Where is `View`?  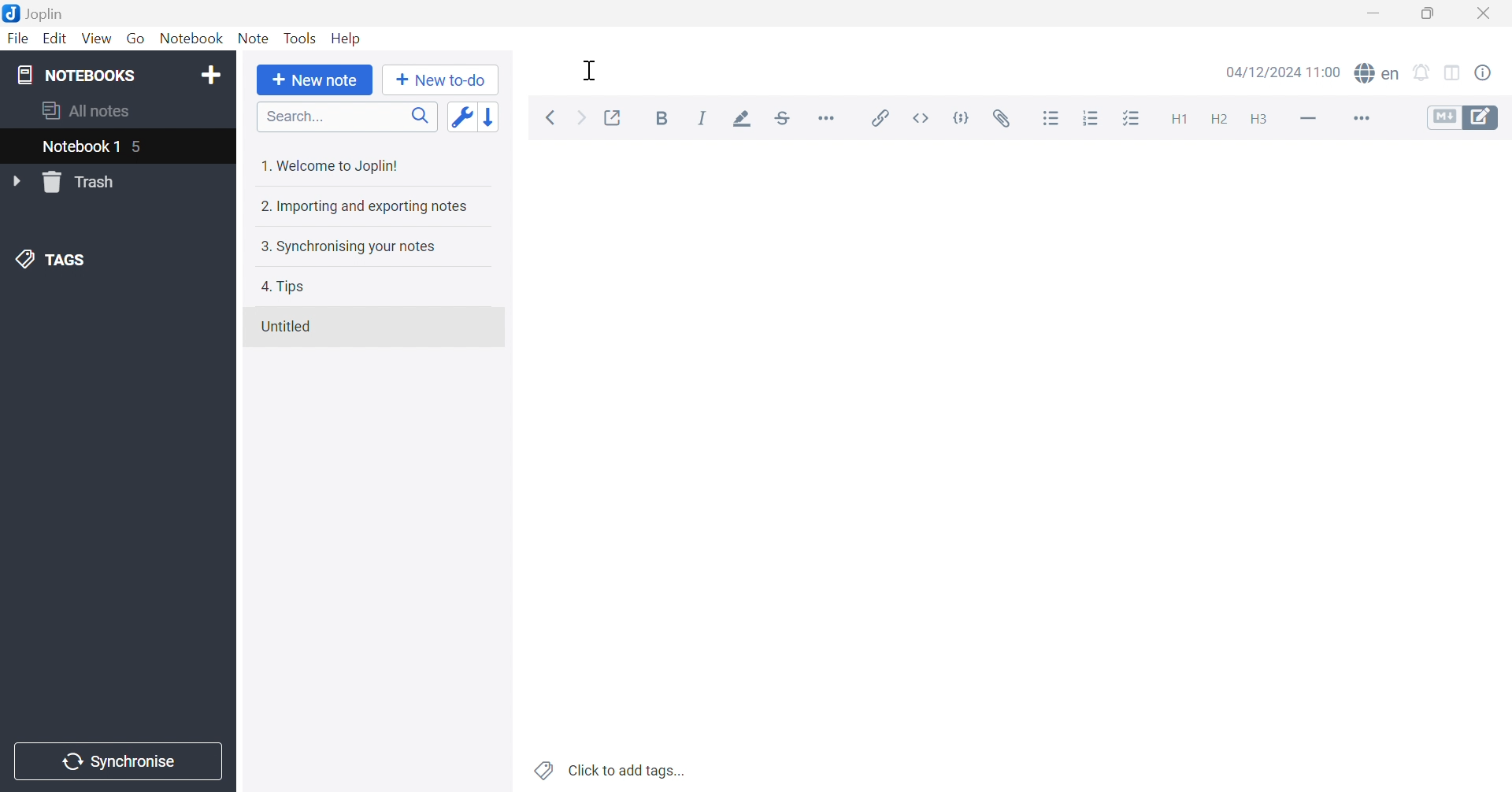
View is located at coordinates (95, 39).